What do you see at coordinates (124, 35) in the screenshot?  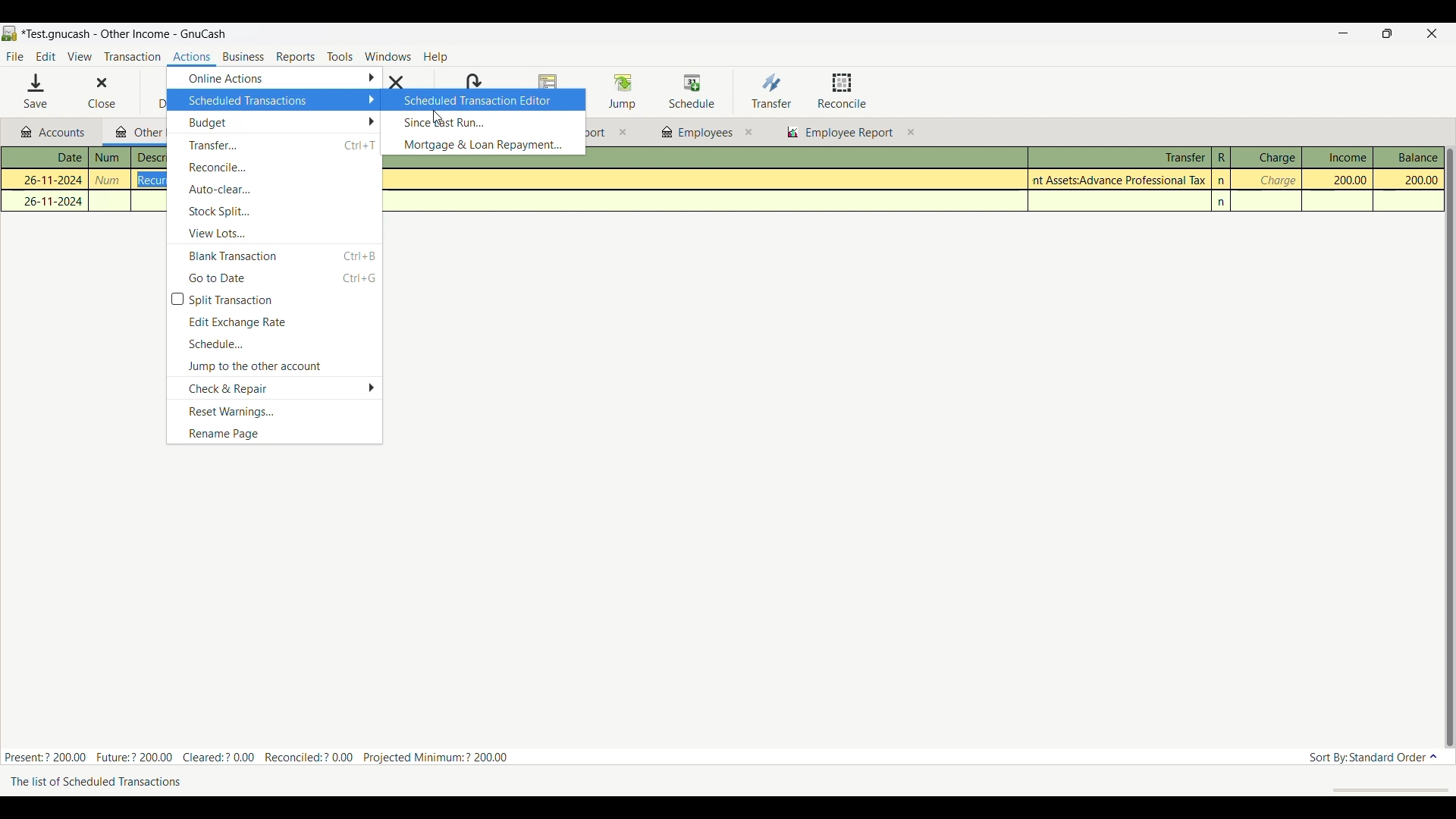 I see `Project and software name ` at bounding box center [124, 35].